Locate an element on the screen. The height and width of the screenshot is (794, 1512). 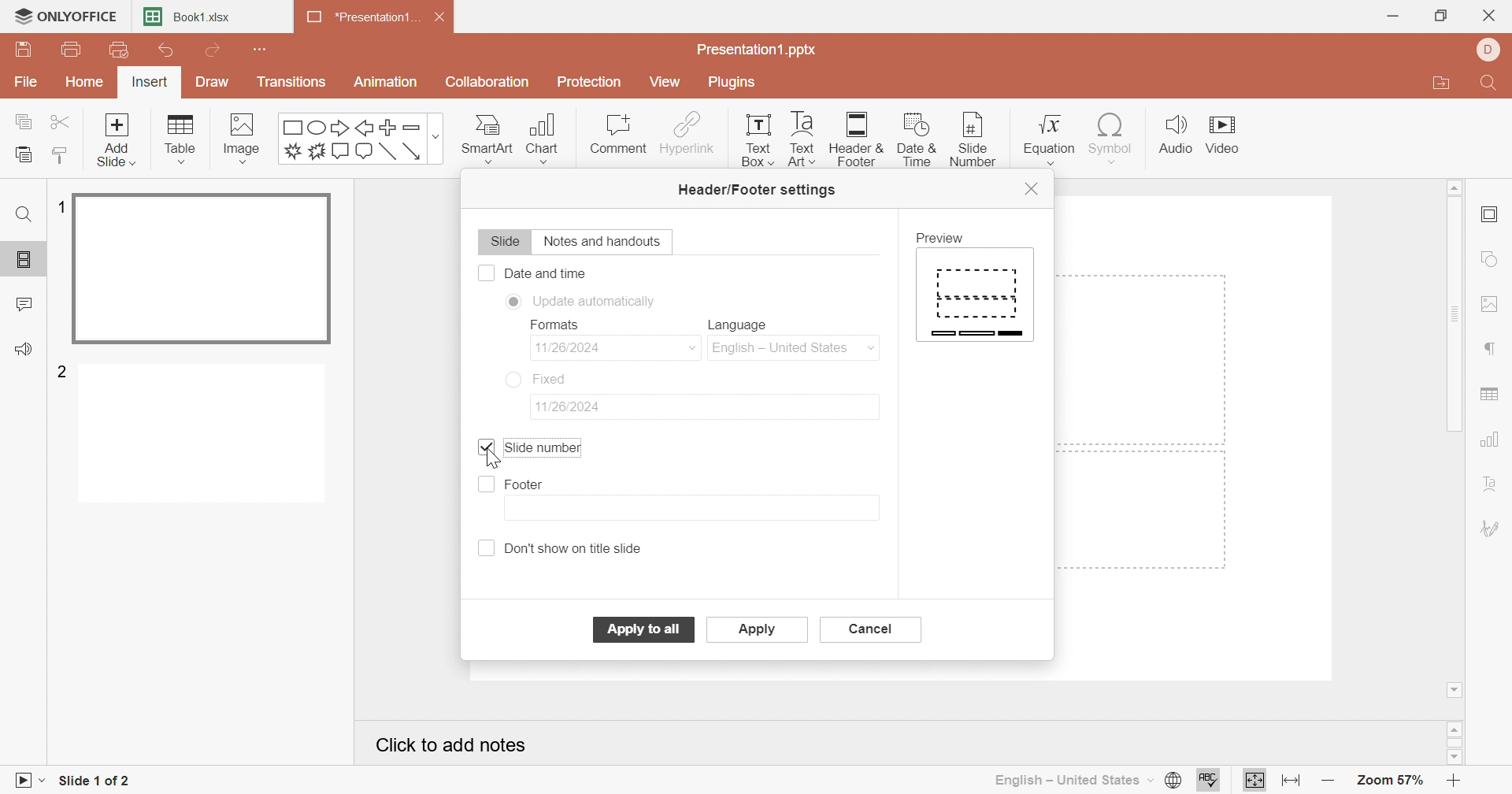
11/26/2024 is located at coordinates (582, 347).